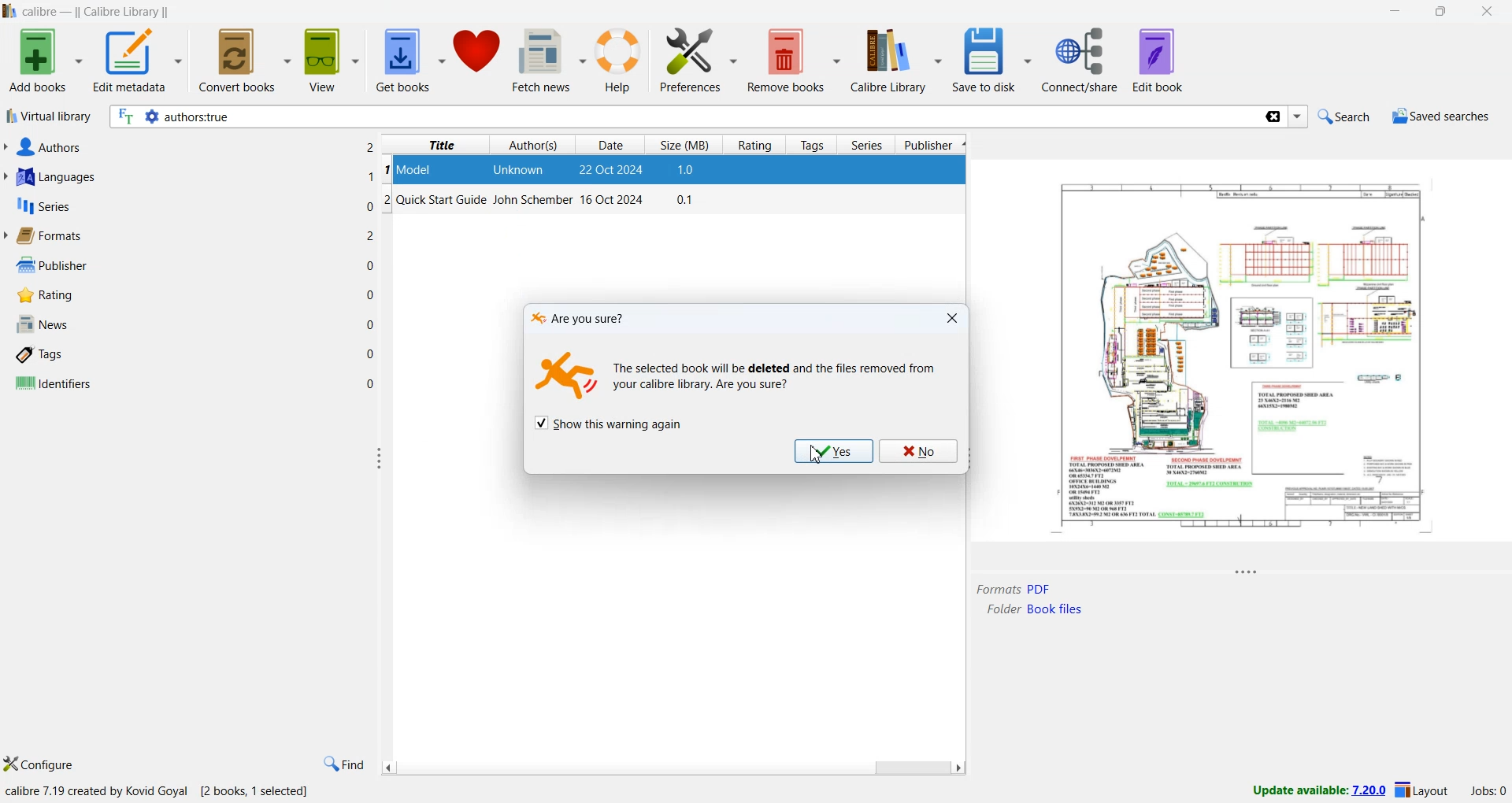 This screenshot has height=803, width=1512. I want to click on edit metadata, so click(138, 62).